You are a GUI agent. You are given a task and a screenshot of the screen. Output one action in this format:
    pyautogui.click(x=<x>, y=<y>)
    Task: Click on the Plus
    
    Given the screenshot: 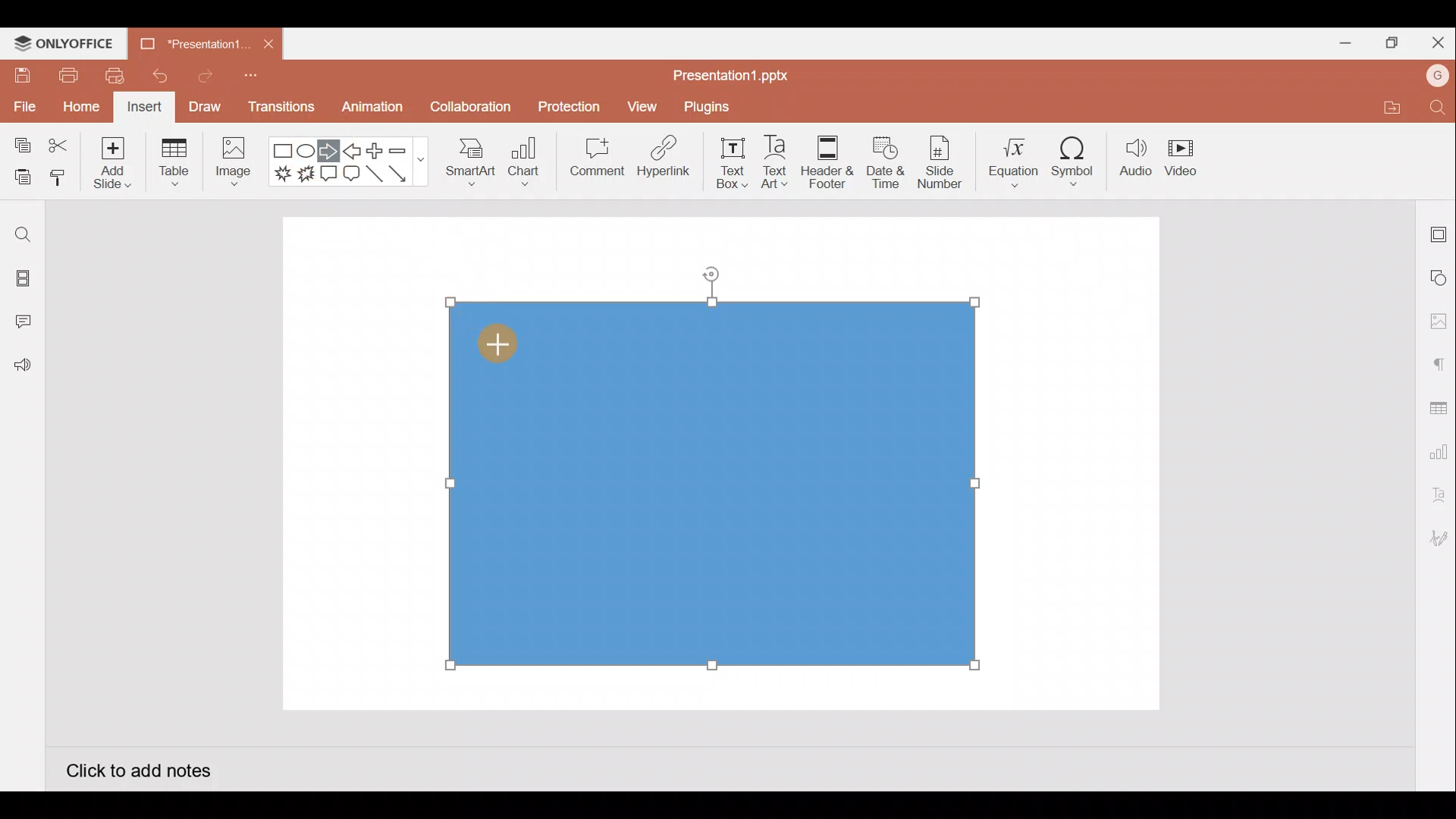 What is the action you would take?
    pyautogui.click(x=378, y=151)
    